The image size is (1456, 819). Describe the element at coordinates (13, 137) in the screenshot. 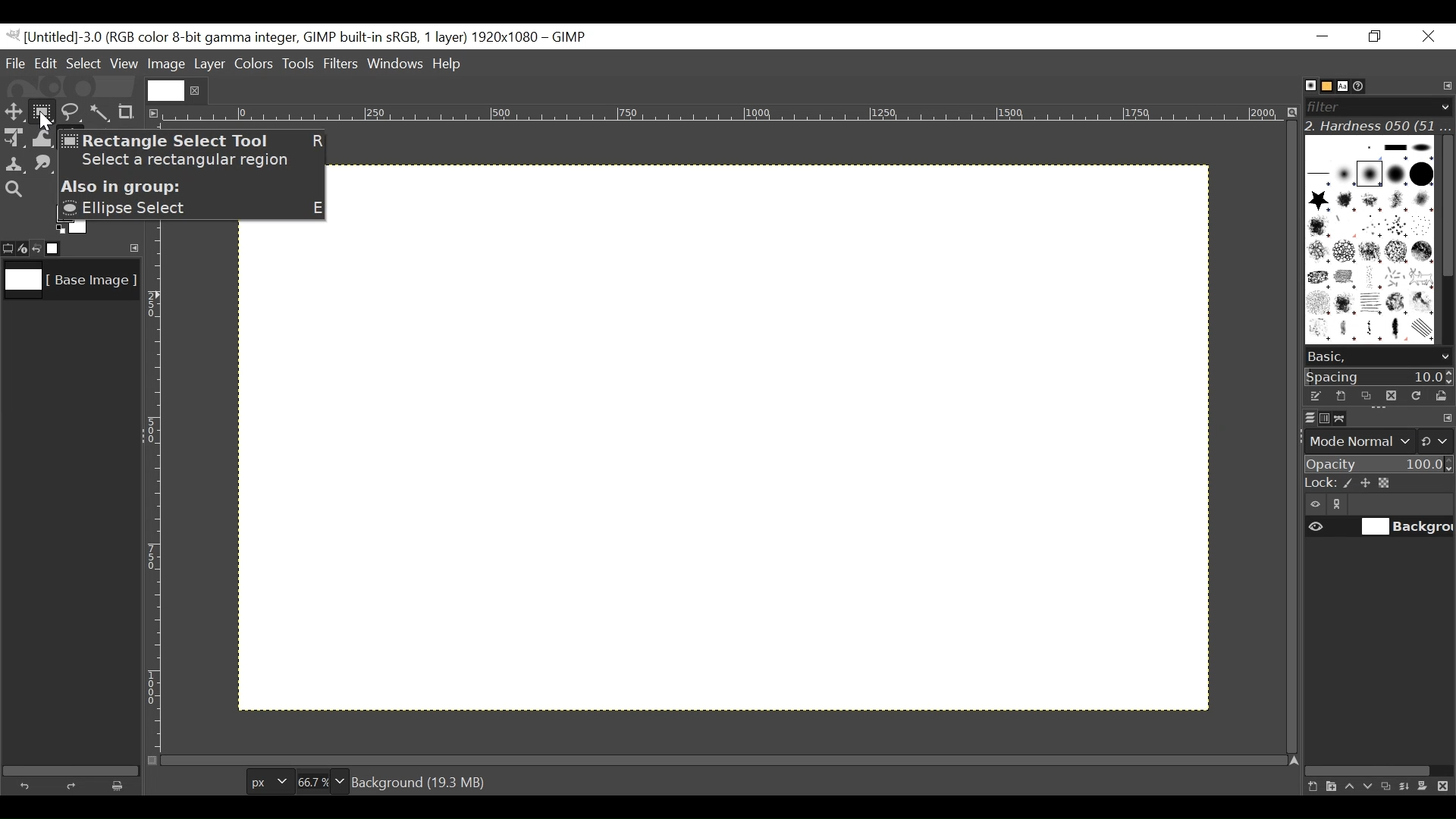

I see `Unified Transform Tool` at that location.